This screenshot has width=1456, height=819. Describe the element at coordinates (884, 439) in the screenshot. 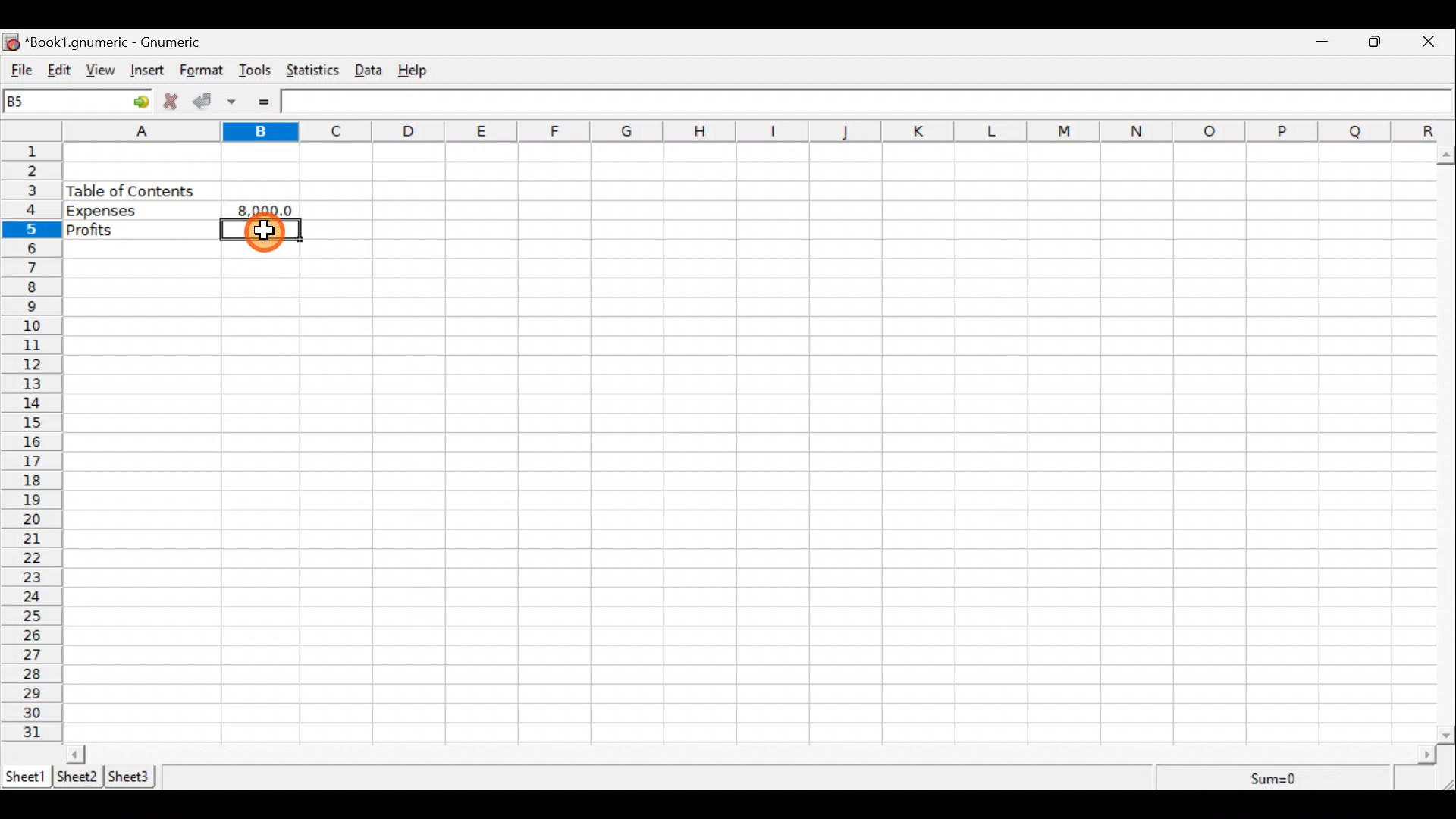

I see `Cells` at that location.